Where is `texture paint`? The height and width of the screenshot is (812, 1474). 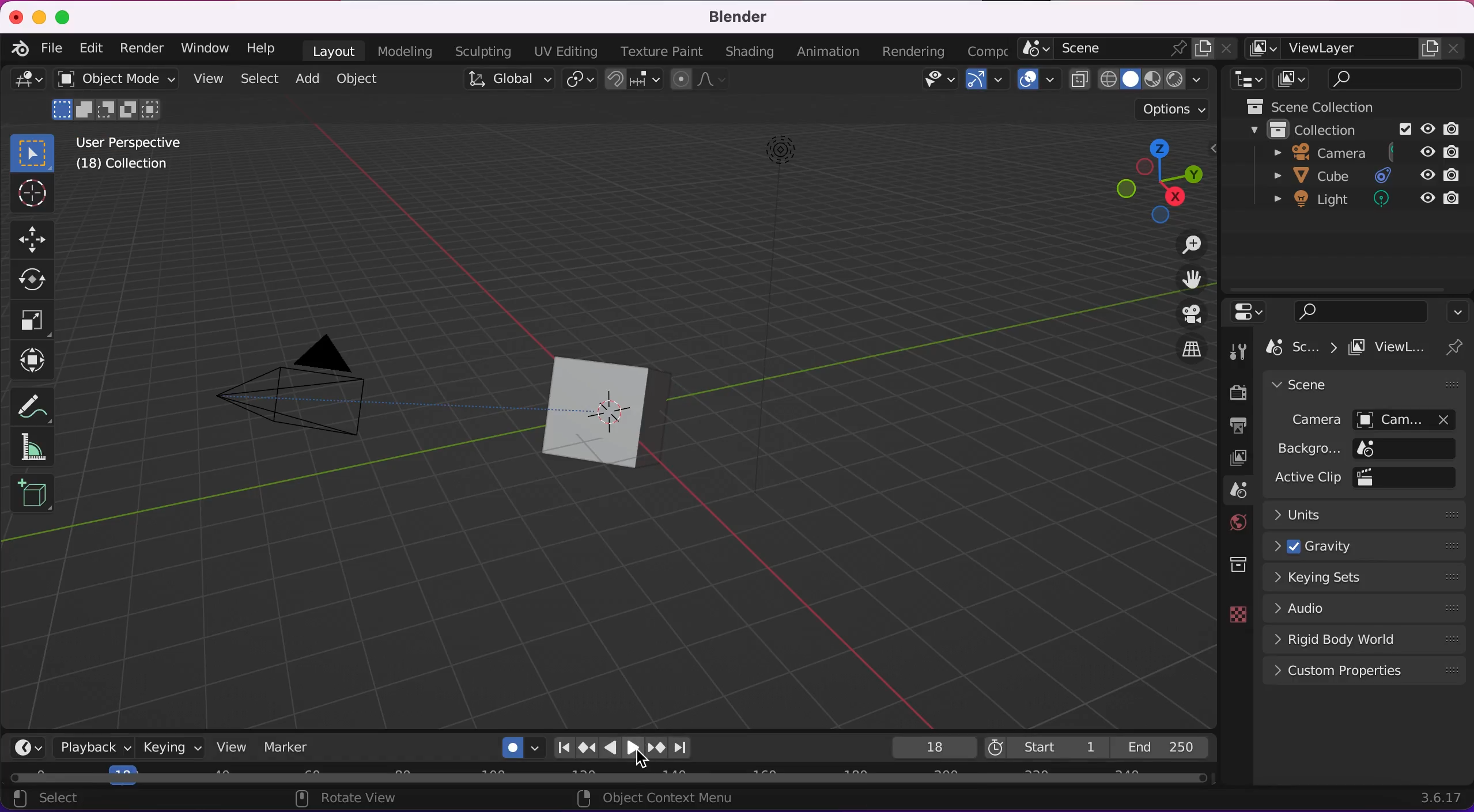
texture paint is located at coordinates (659, 52).